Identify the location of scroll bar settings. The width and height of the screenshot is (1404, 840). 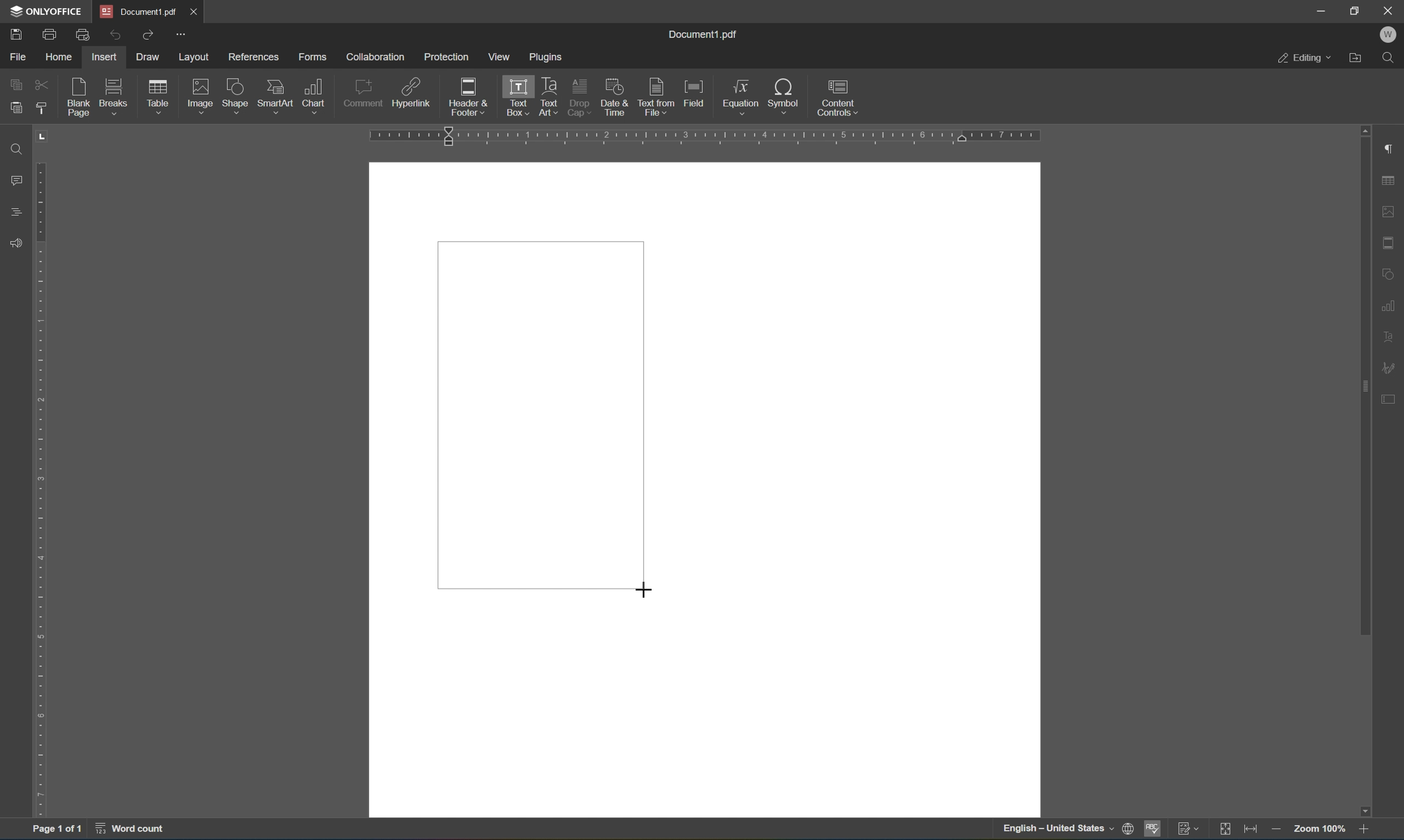
(1364, 380).